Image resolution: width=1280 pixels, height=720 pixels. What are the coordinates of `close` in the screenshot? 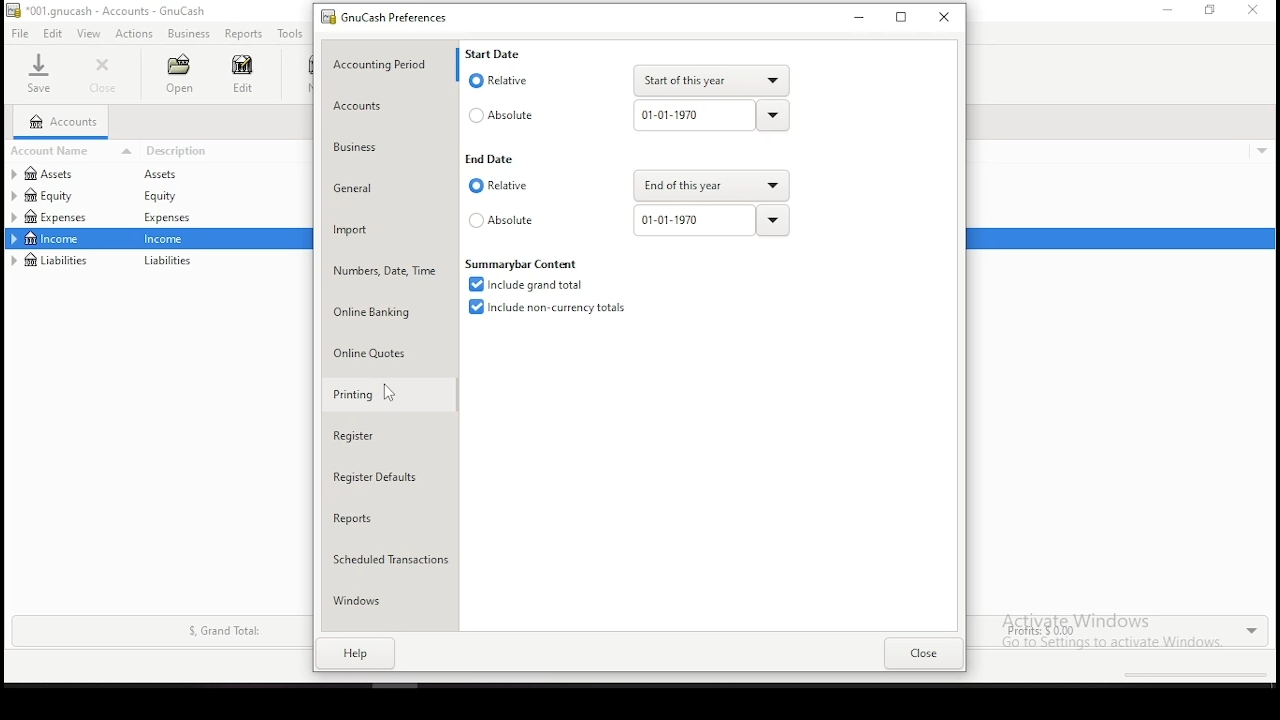 It's located at (924, 654).